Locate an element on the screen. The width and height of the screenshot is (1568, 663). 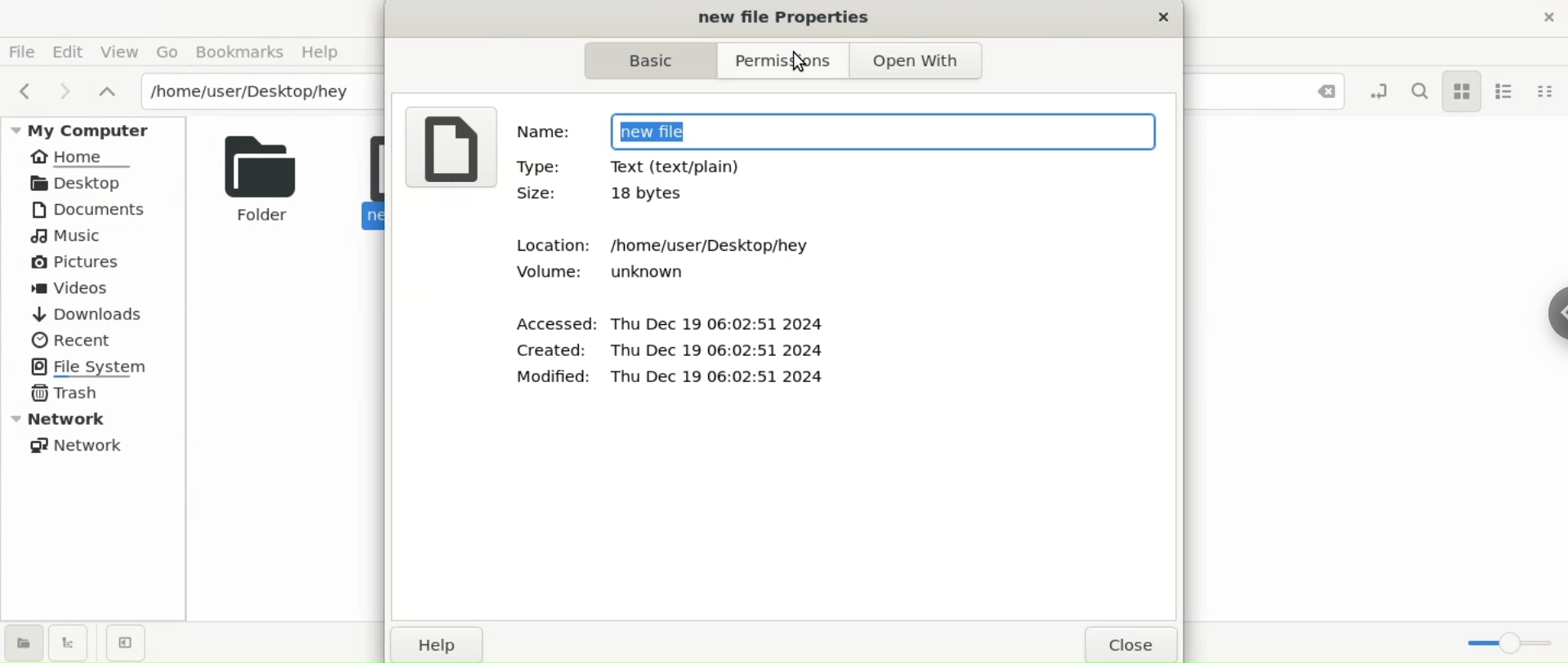
Edit is located at coordinates (69, 51).